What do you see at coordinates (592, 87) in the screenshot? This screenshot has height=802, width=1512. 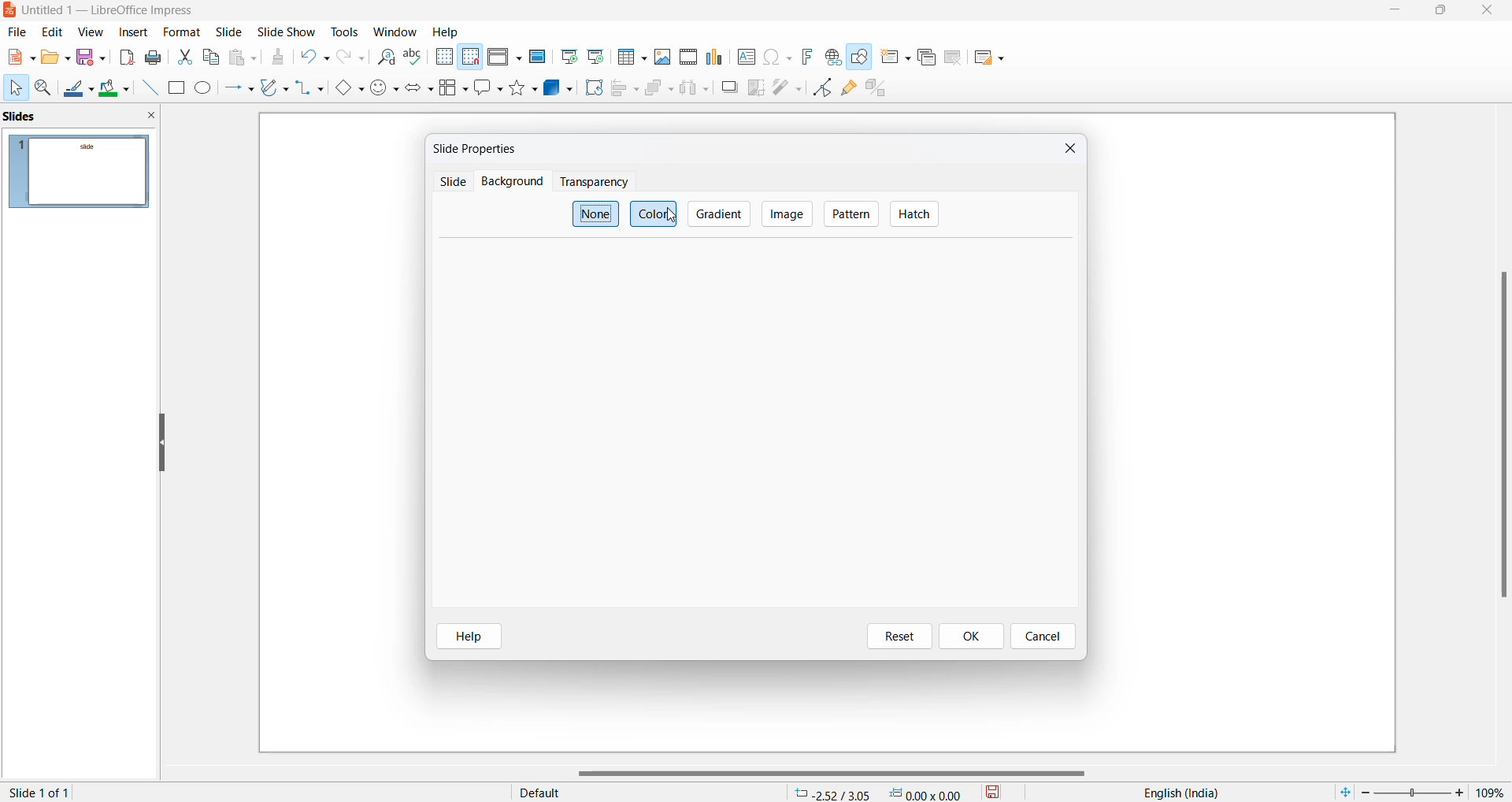 I see `rotate` at bounding box center [592, 87].